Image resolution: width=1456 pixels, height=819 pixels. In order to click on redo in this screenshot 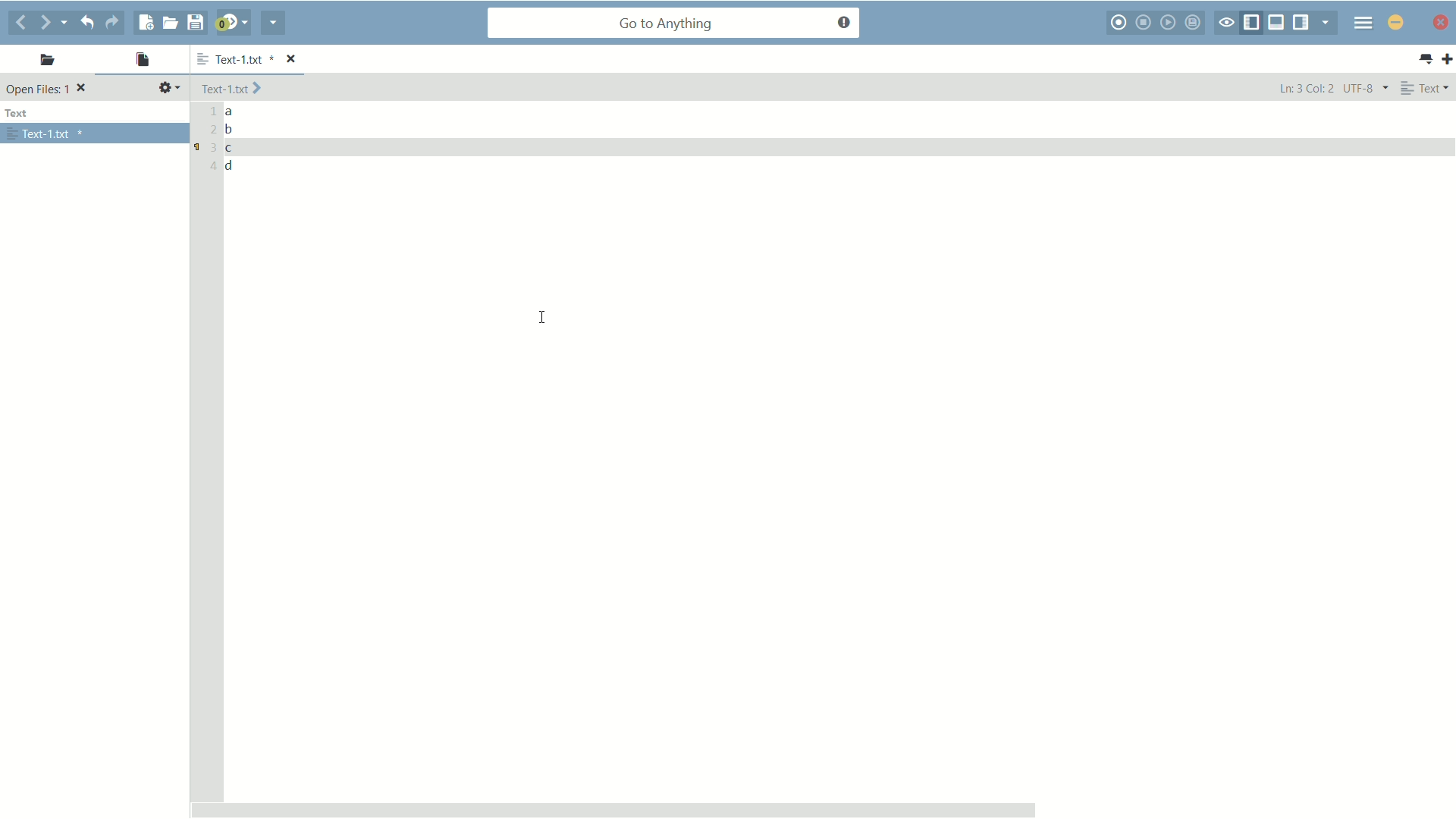, I will do `click(117, 23)`.